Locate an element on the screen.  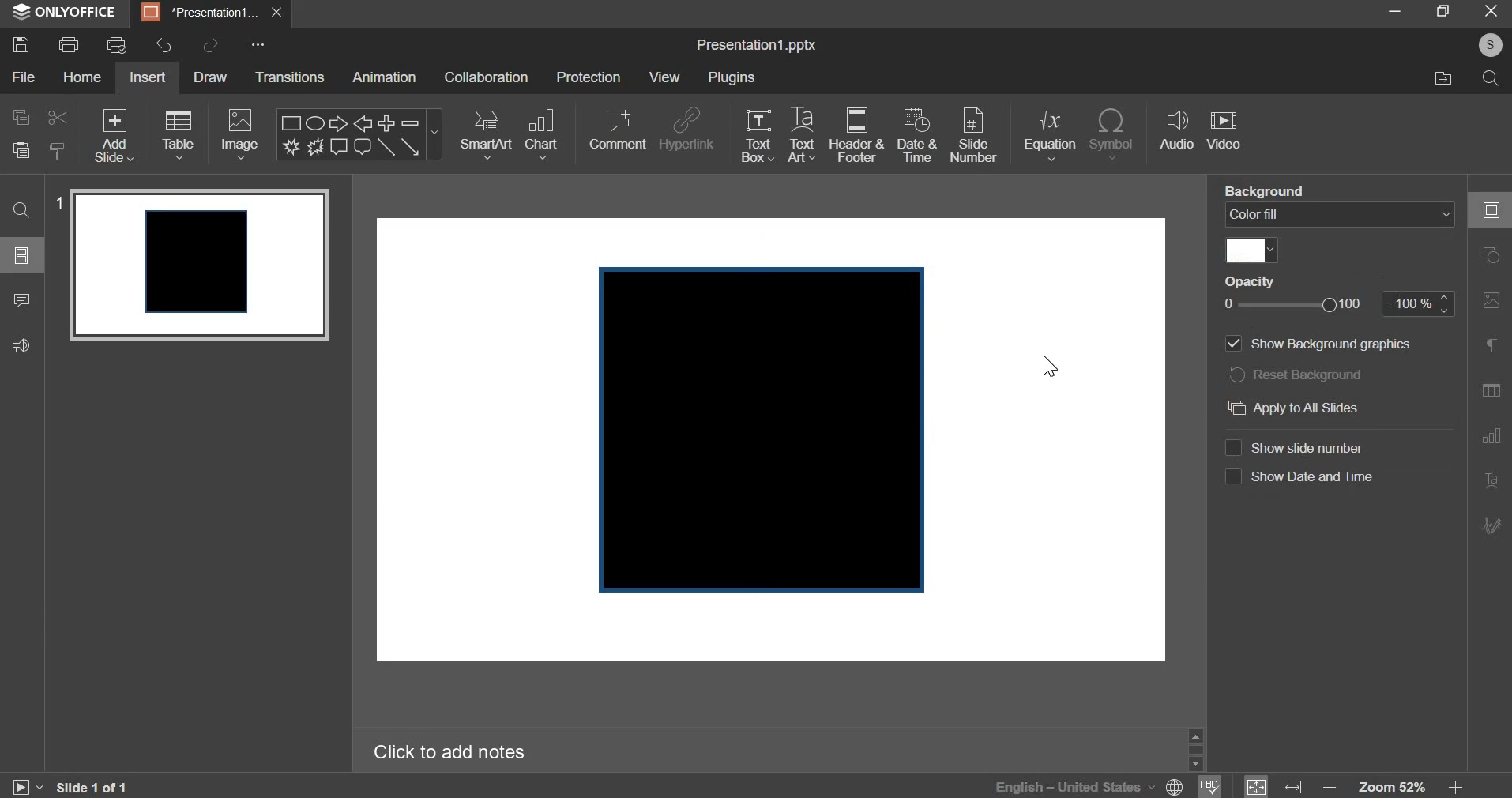
text box is located at coordinates (757, 135).